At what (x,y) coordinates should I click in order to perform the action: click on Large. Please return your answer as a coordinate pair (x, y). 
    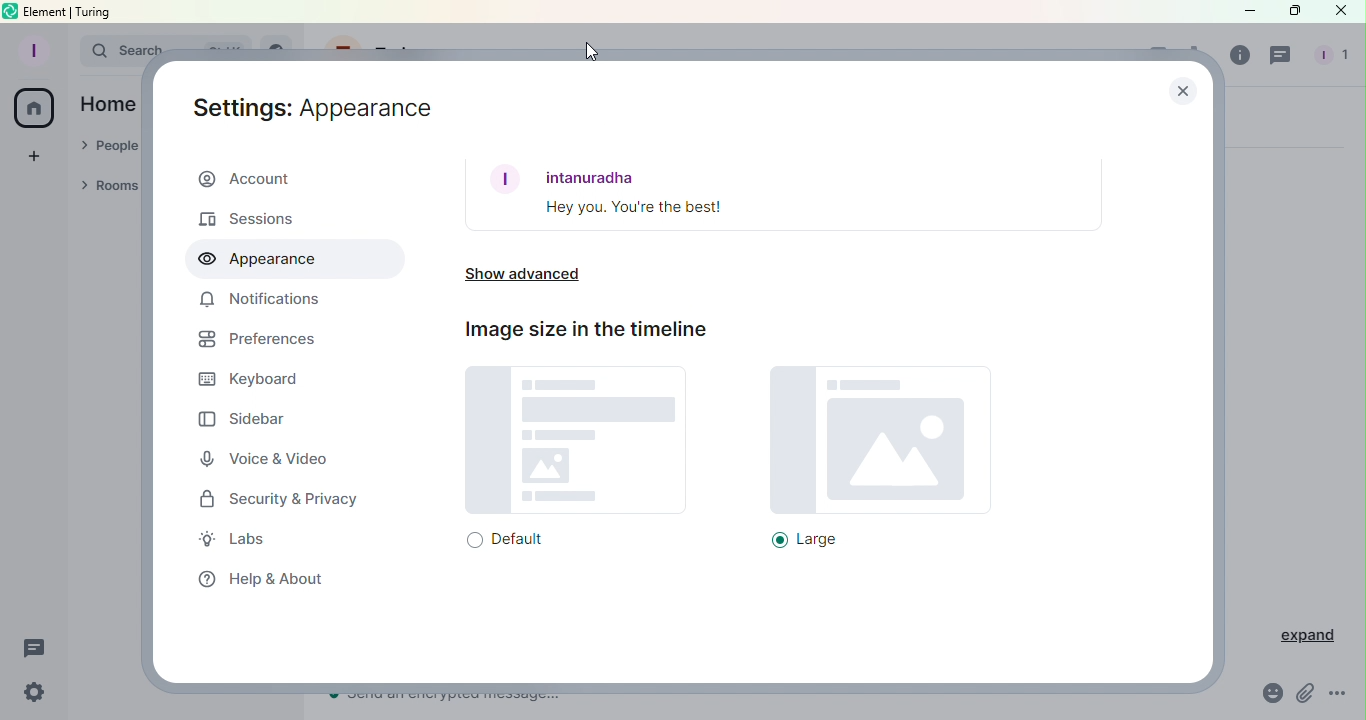
    Looking at the image, I should click on (865, 458).